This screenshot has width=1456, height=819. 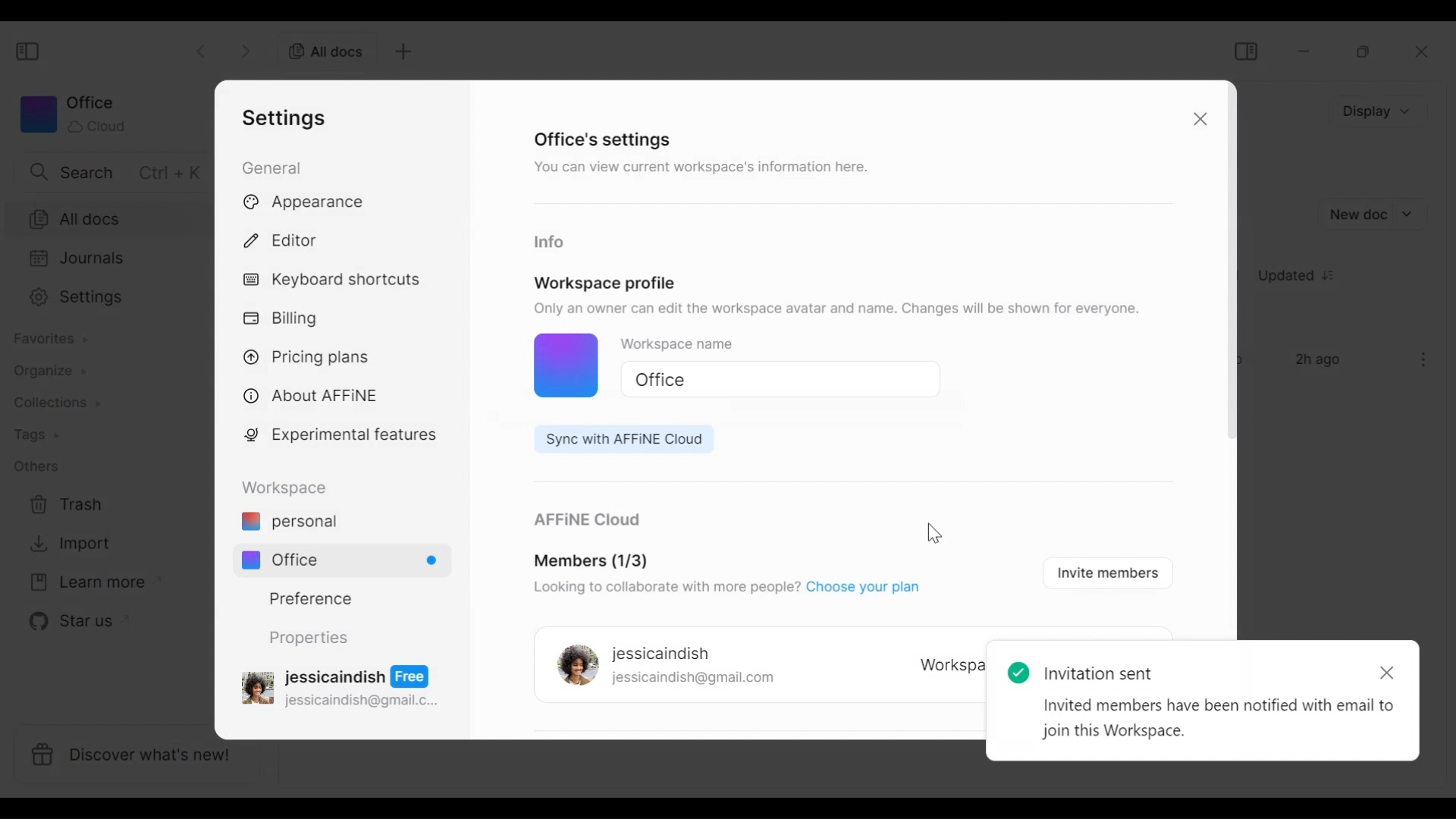 I want to click on Go Forward, so click(x=246, y=49).